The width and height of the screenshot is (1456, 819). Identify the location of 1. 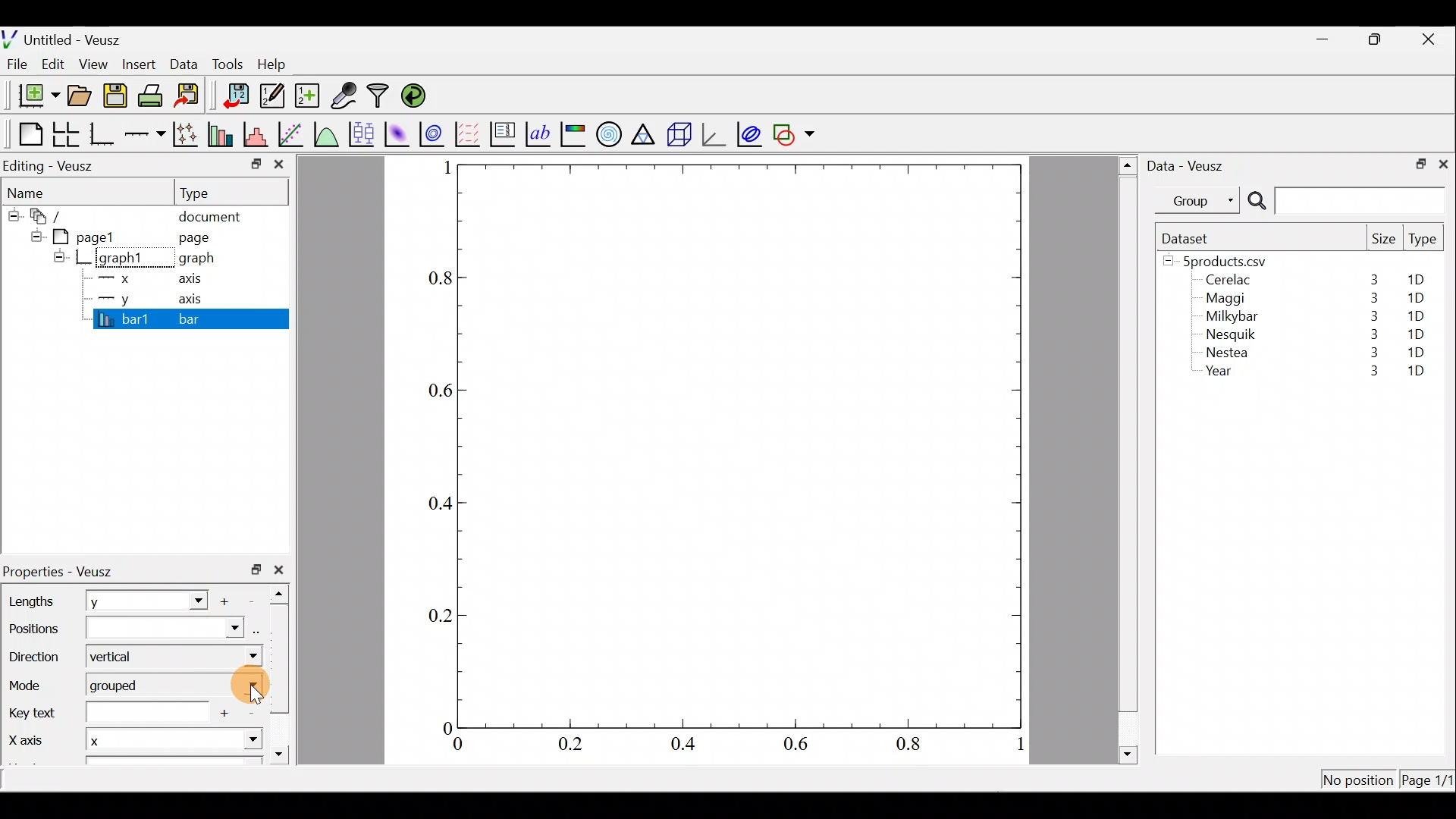
(446, 167).